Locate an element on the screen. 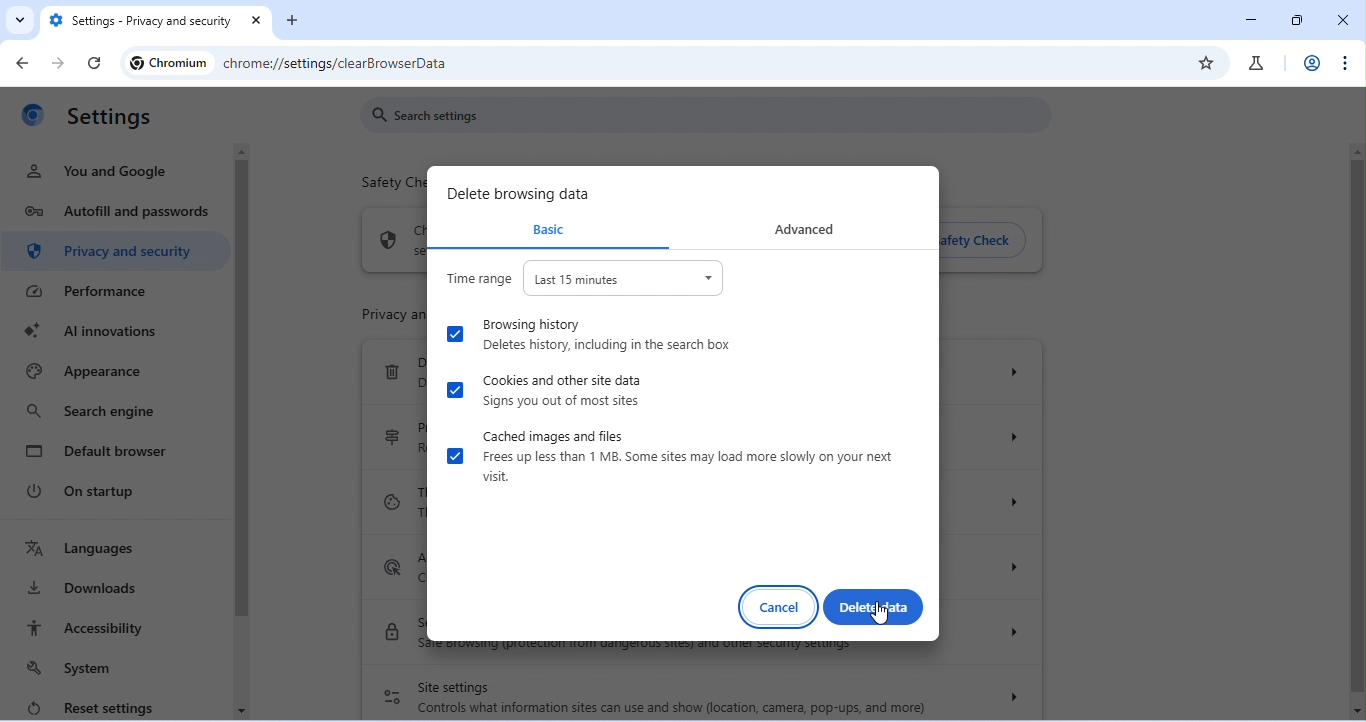 The height and width of the screenshot is (722, 1366). time range is located at coordinates (478, 276).